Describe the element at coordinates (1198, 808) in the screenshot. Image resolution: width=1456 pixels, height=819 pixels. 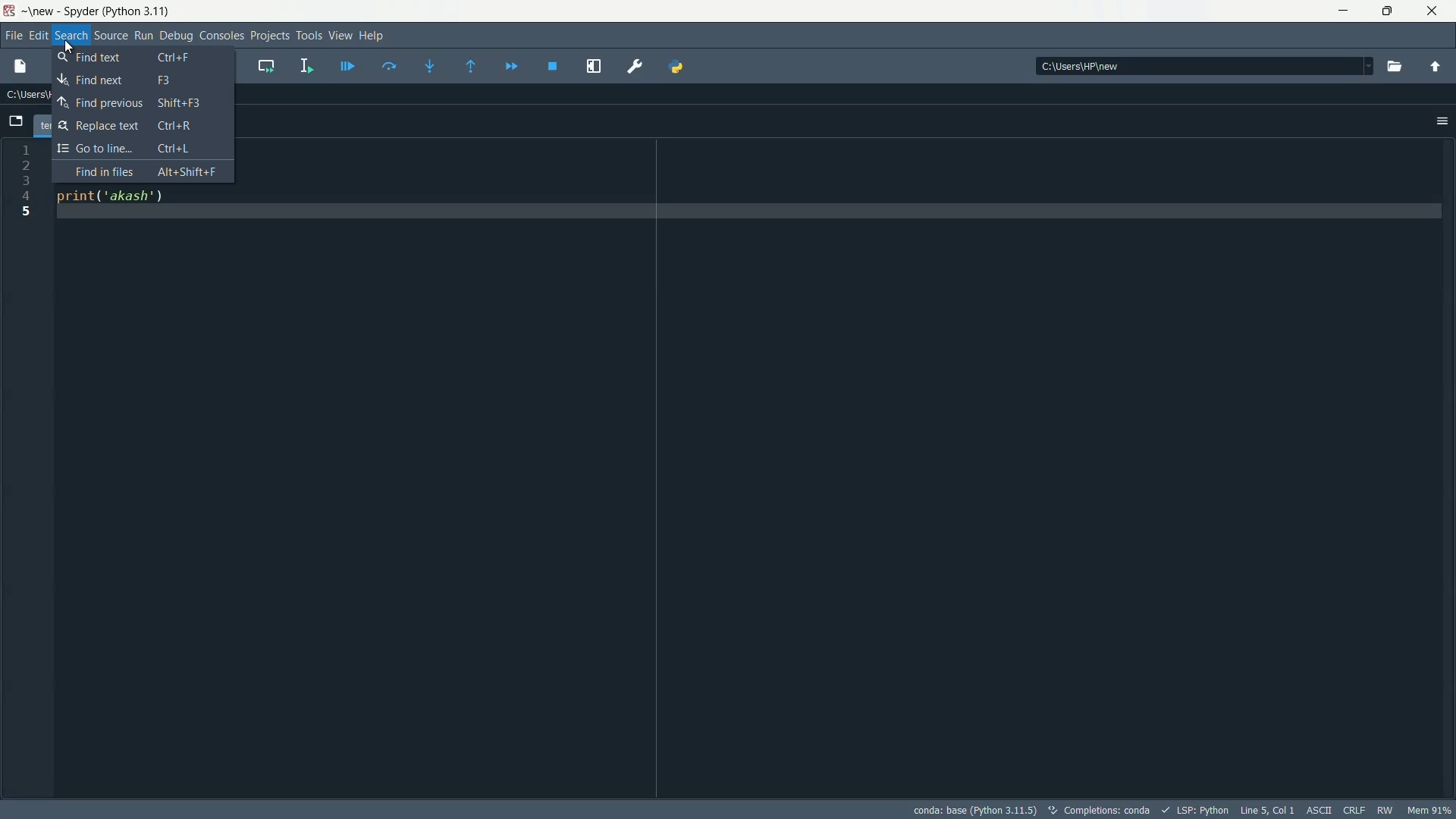
I see `LSP:Python` at that location.